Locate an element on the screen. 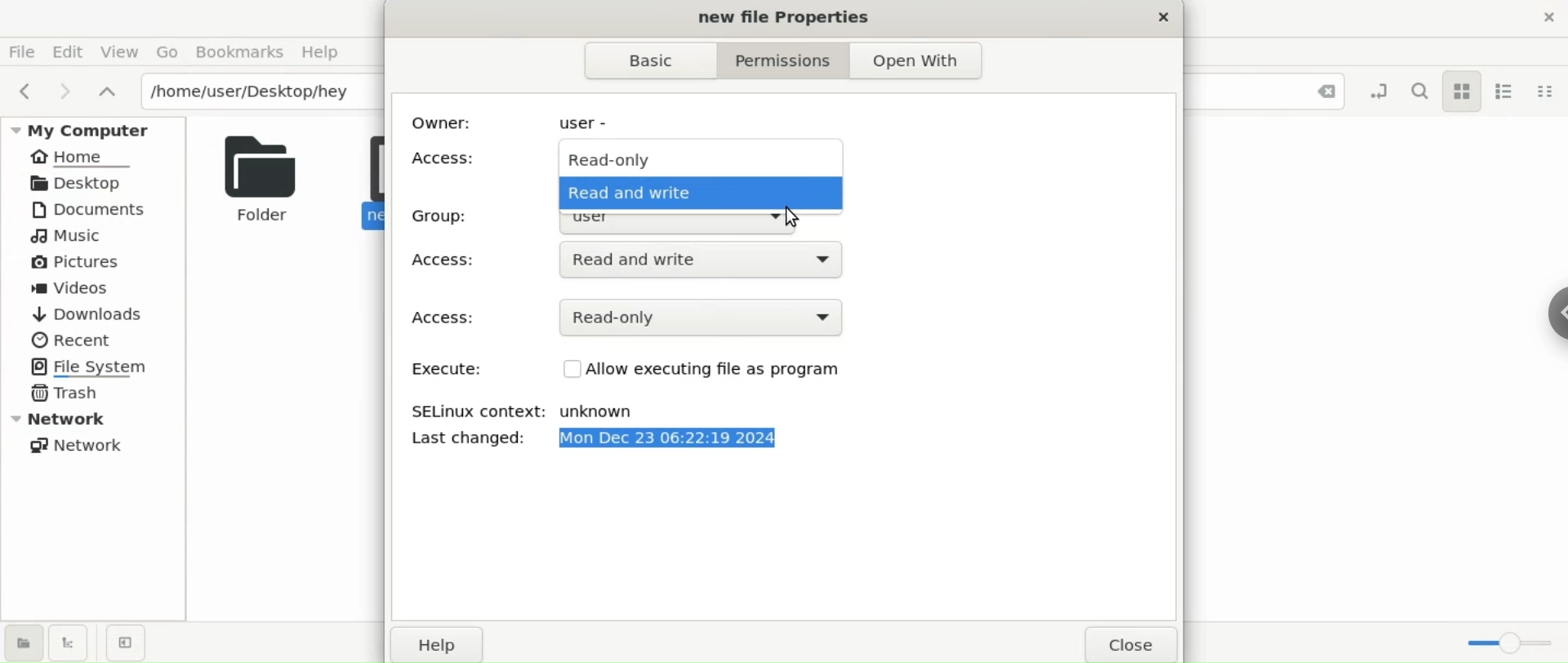 This screenshot has width=1568, height=663. My Computer is located at coordinates (96, 129).